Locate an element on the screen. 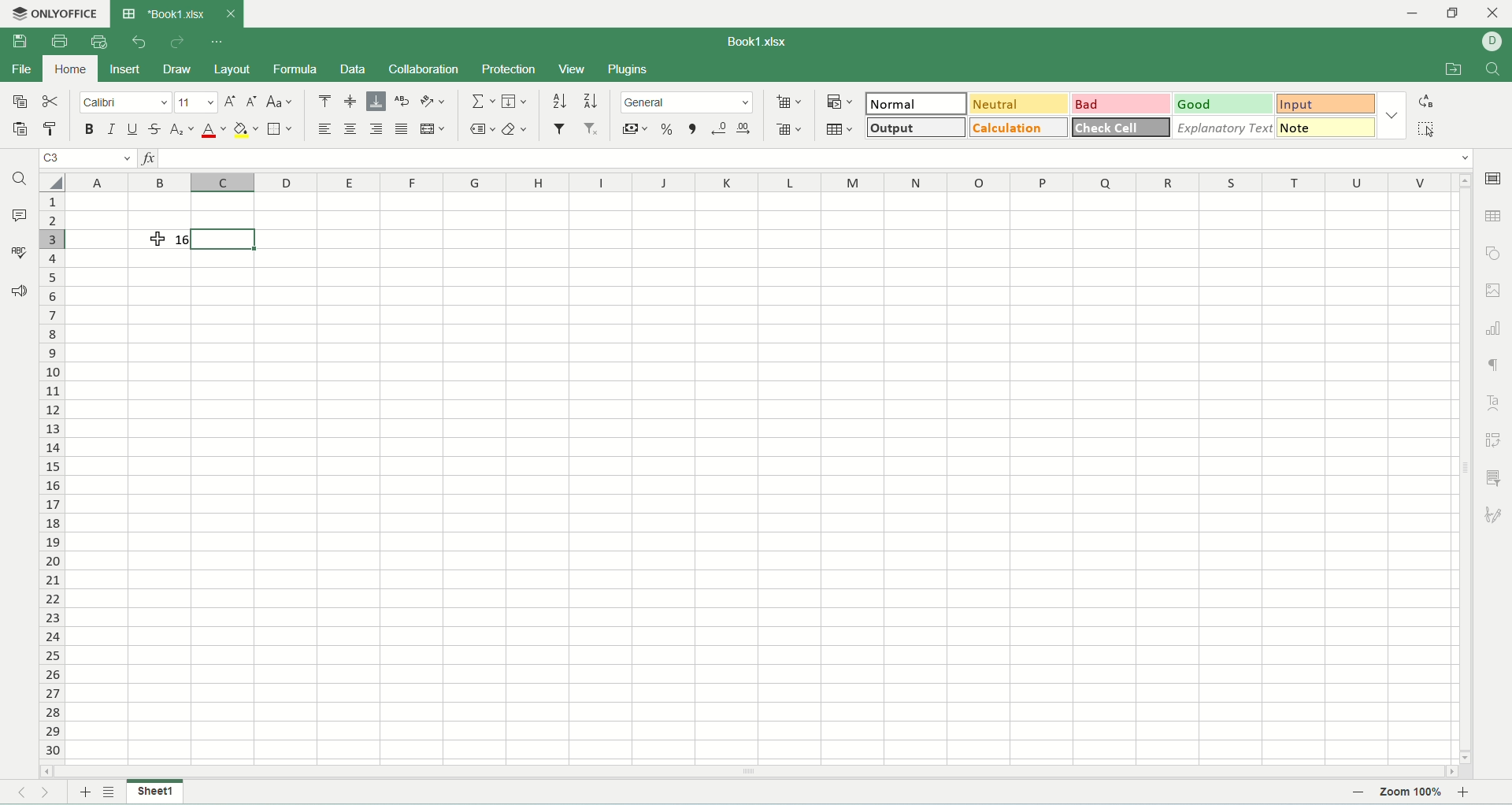 The height and width of the screenshot is (805, 1512). active cell is located at coordinates (224, 238).